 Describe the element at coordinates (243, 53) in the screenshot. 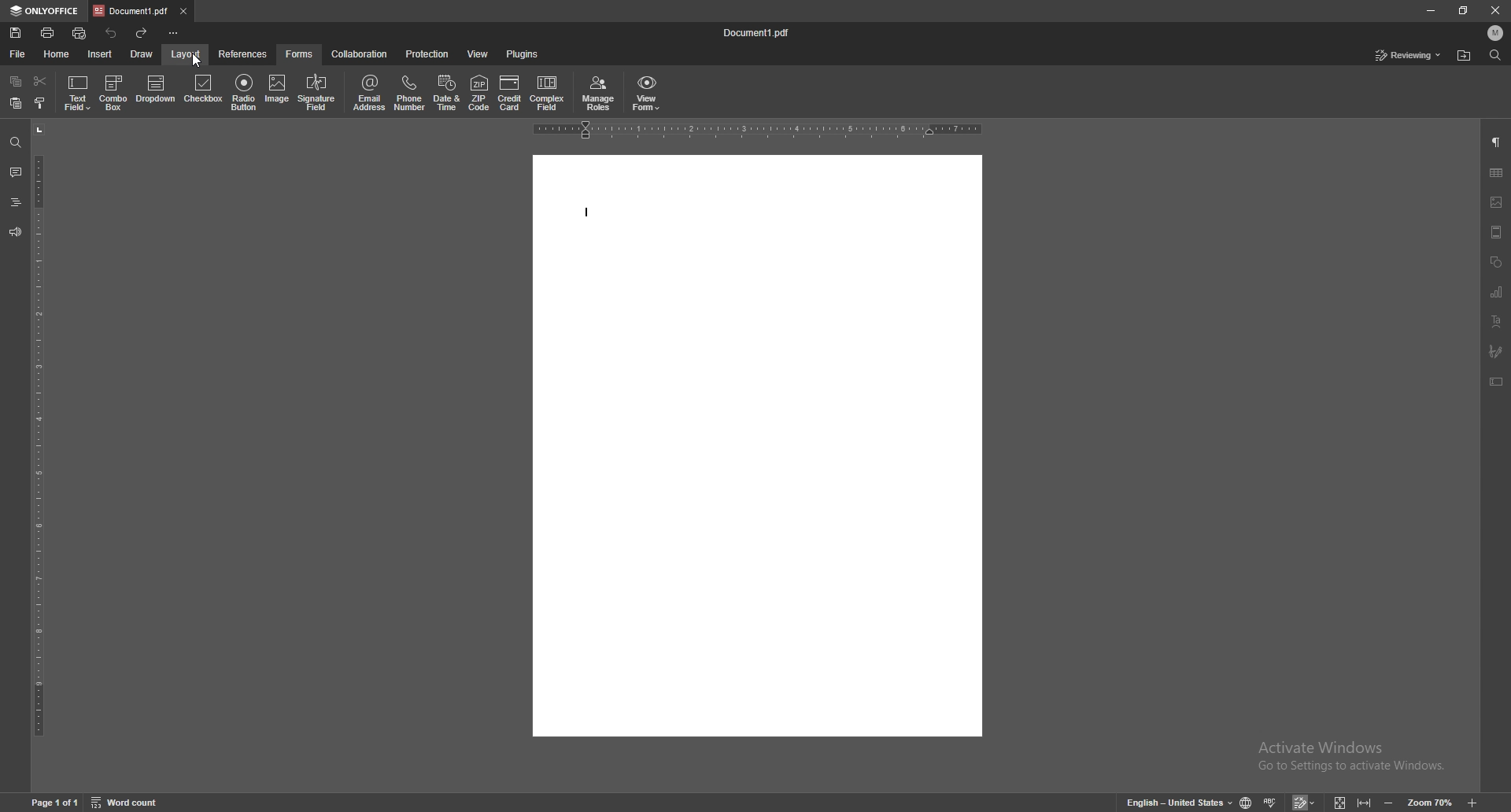

I see `references` at that location.